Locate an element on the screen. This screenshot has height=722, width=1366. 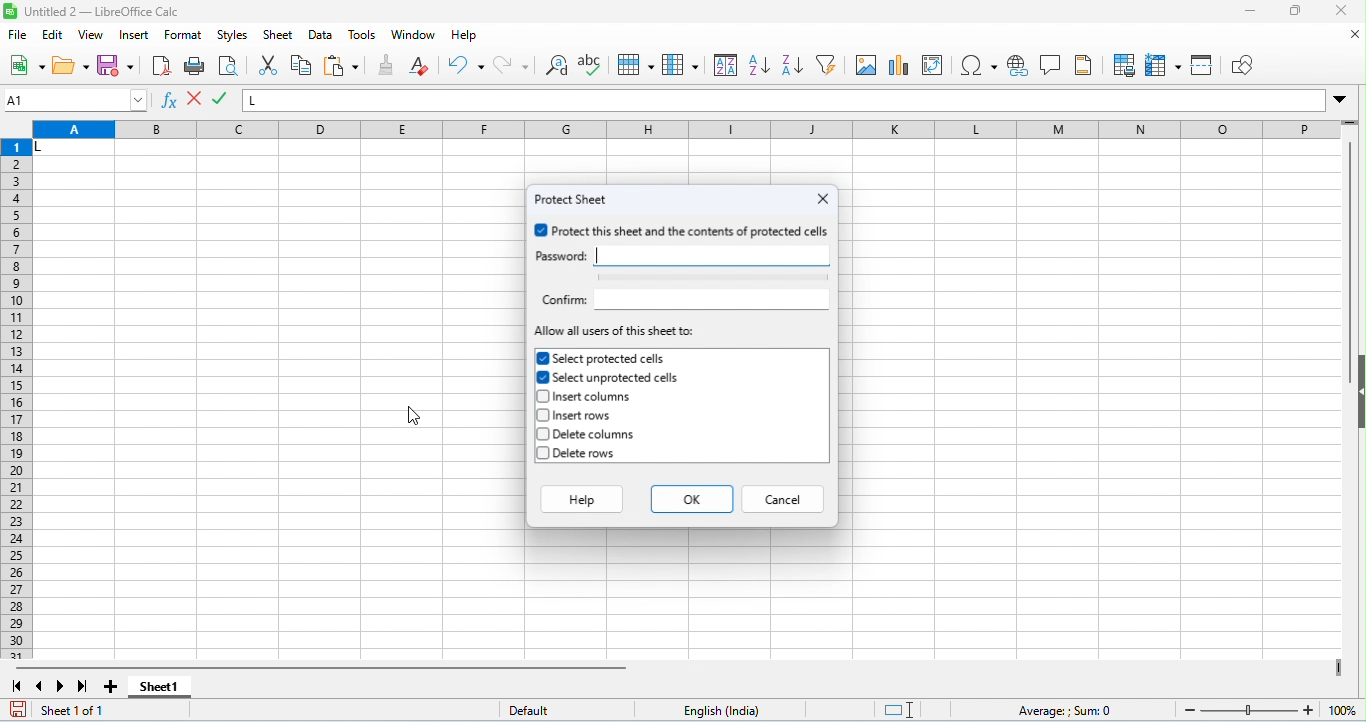
minimize is located at coordinates (1250, 12).